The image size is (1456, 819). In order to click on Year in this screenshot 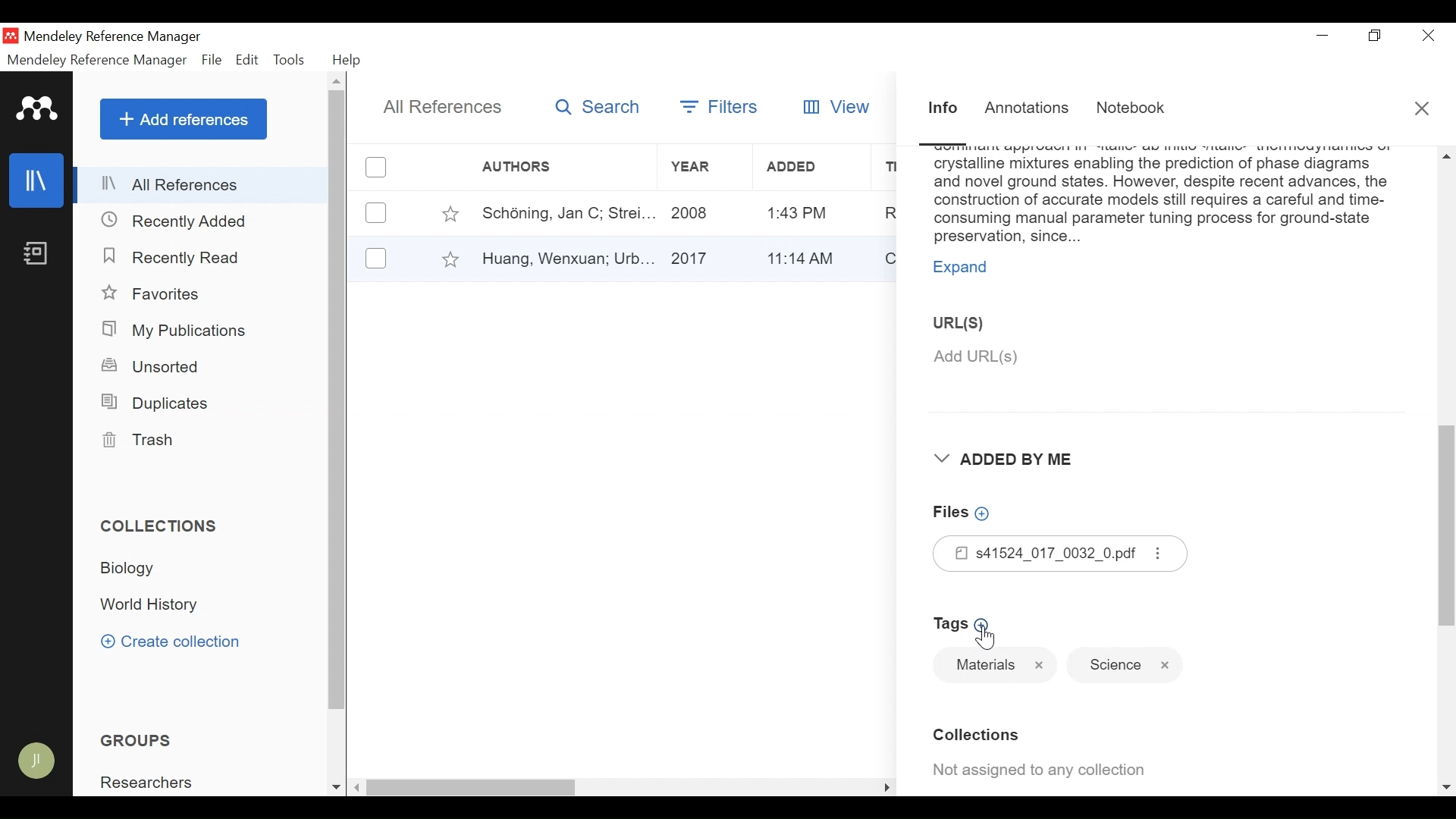, I will do `click(702, 257)`.